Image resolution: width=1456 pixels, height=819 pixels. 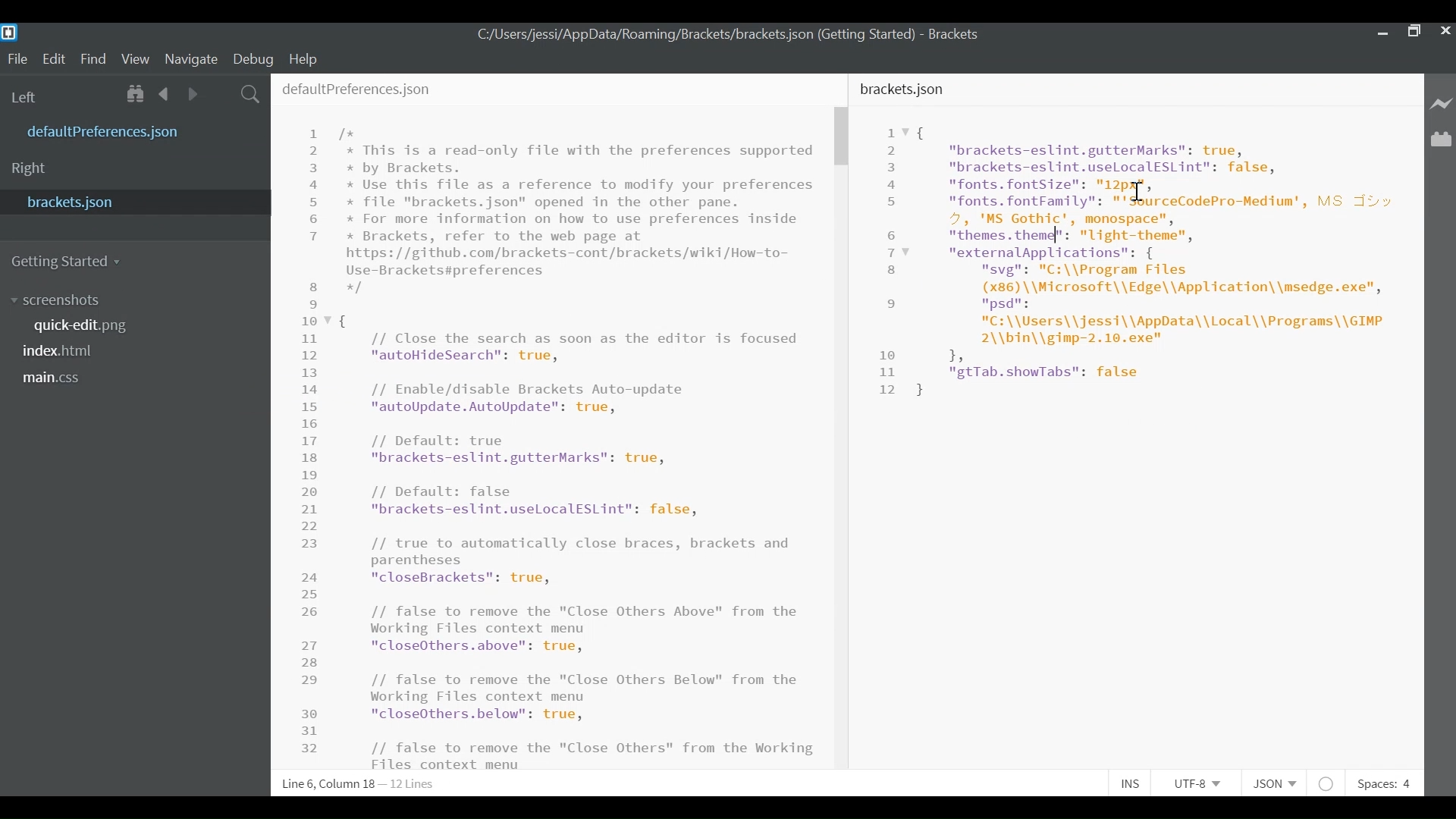 I want to click on bracket.json, so click(x=132, y=201).